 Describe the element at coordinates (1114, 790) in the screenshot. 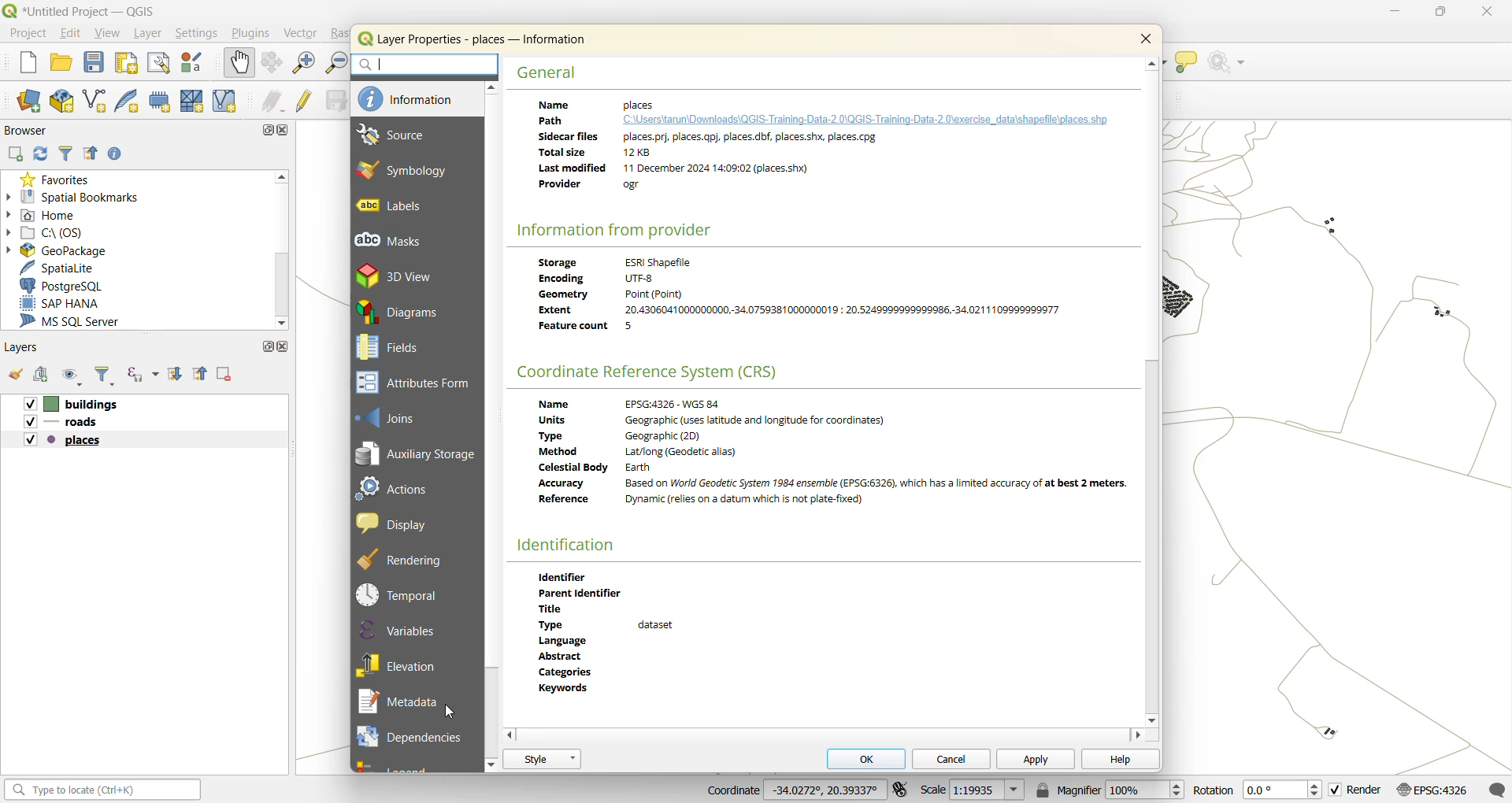

I see `magnifier` at that location.